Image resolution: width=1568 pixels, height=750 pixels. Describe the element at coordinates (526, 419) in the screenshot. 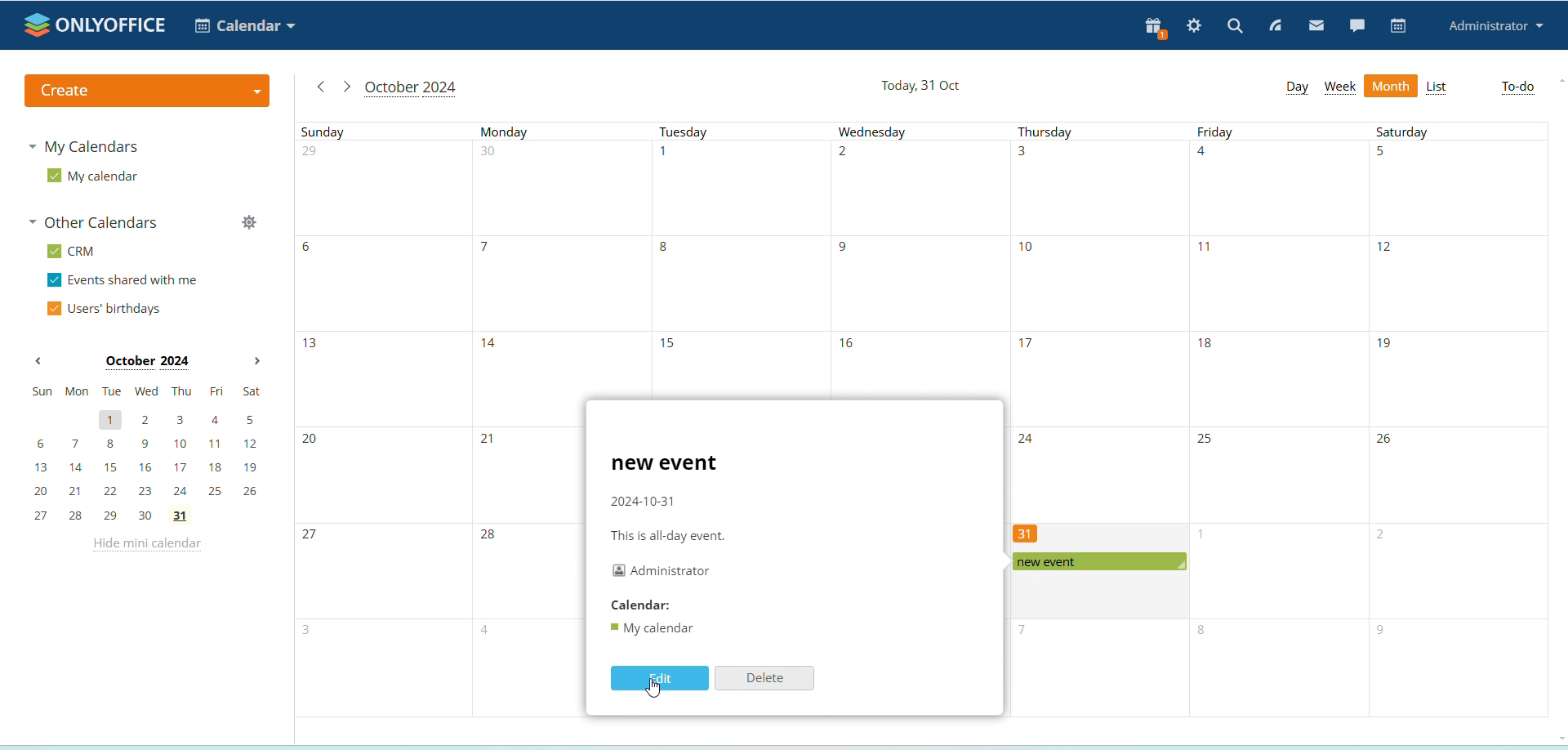

I see `monday` at that location.